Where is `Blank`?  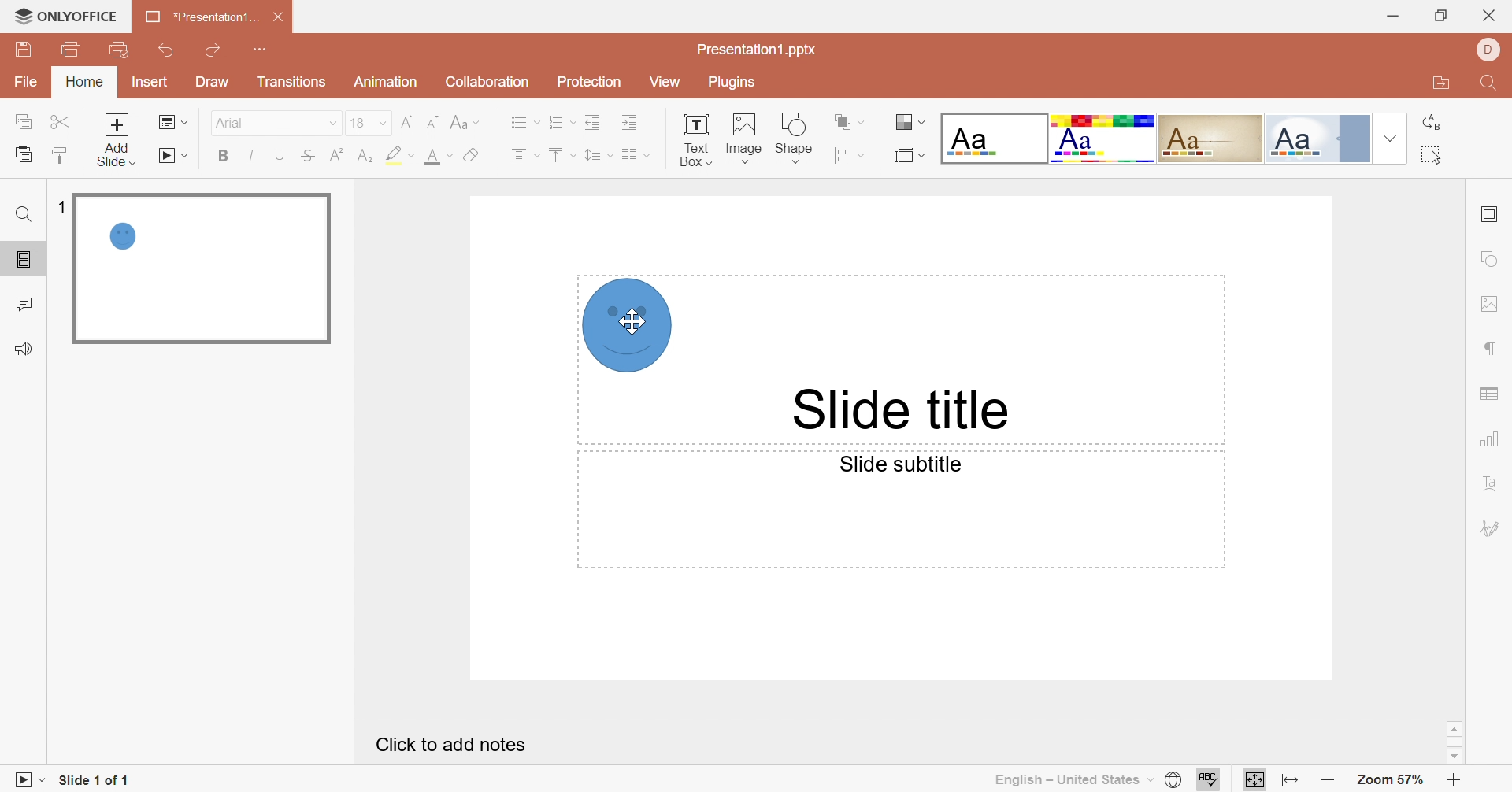
Blank is located at coordinates (994, 139).